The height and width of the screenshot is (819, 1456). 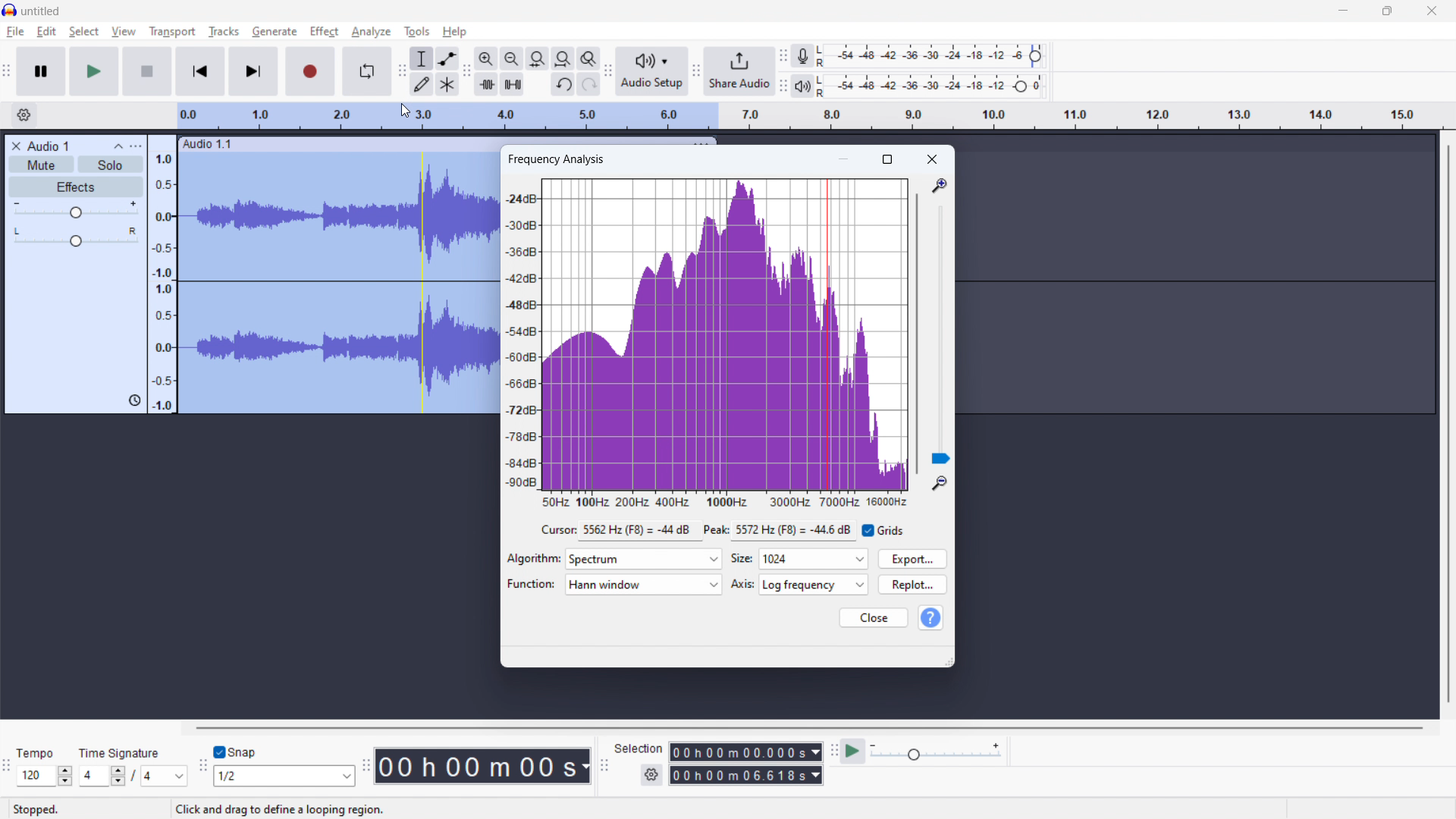 I want to click on playback meter toolbar, so click(x=782, y=86).